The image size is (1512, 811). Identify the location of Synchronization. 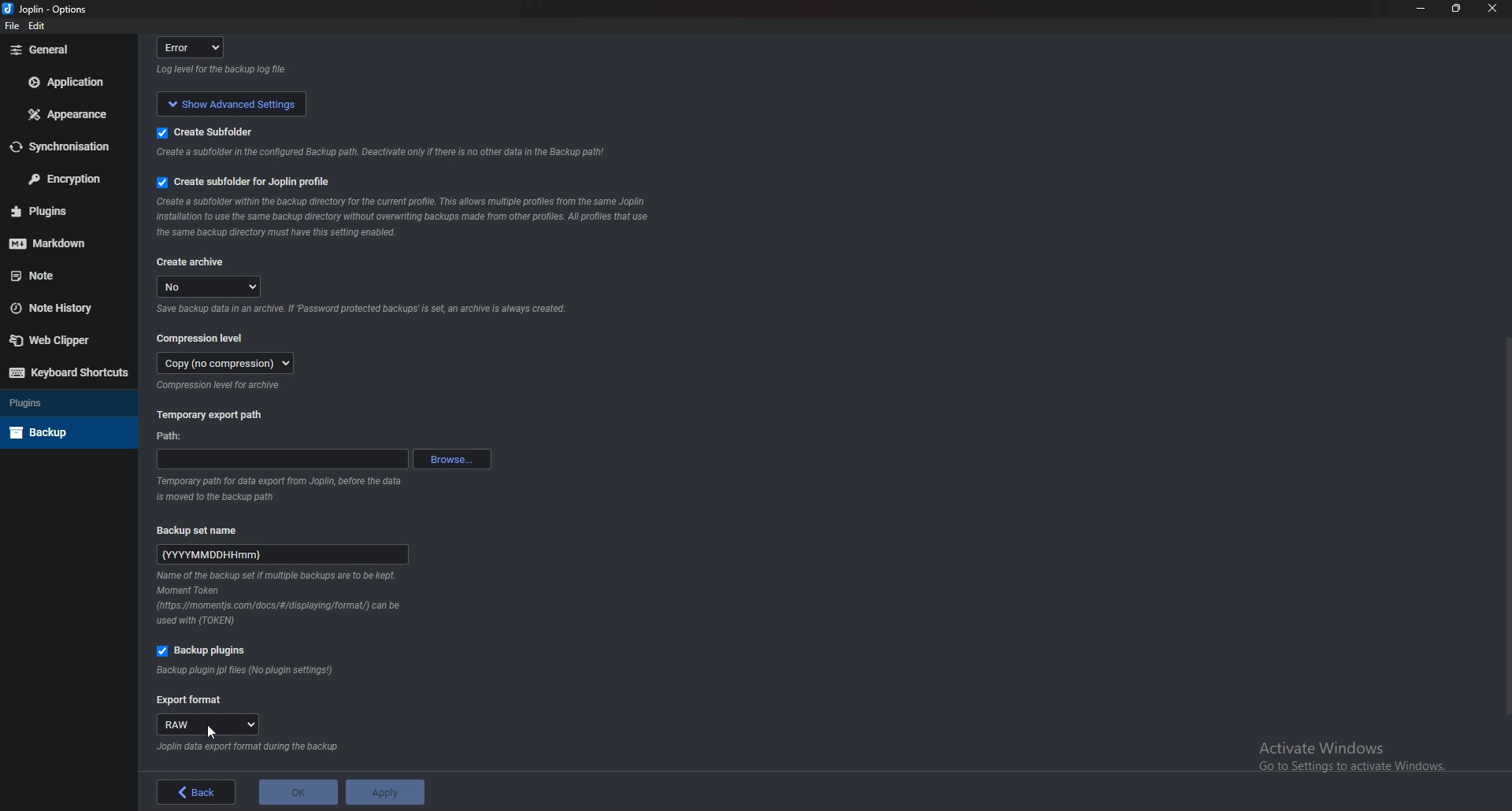
(62, 147).